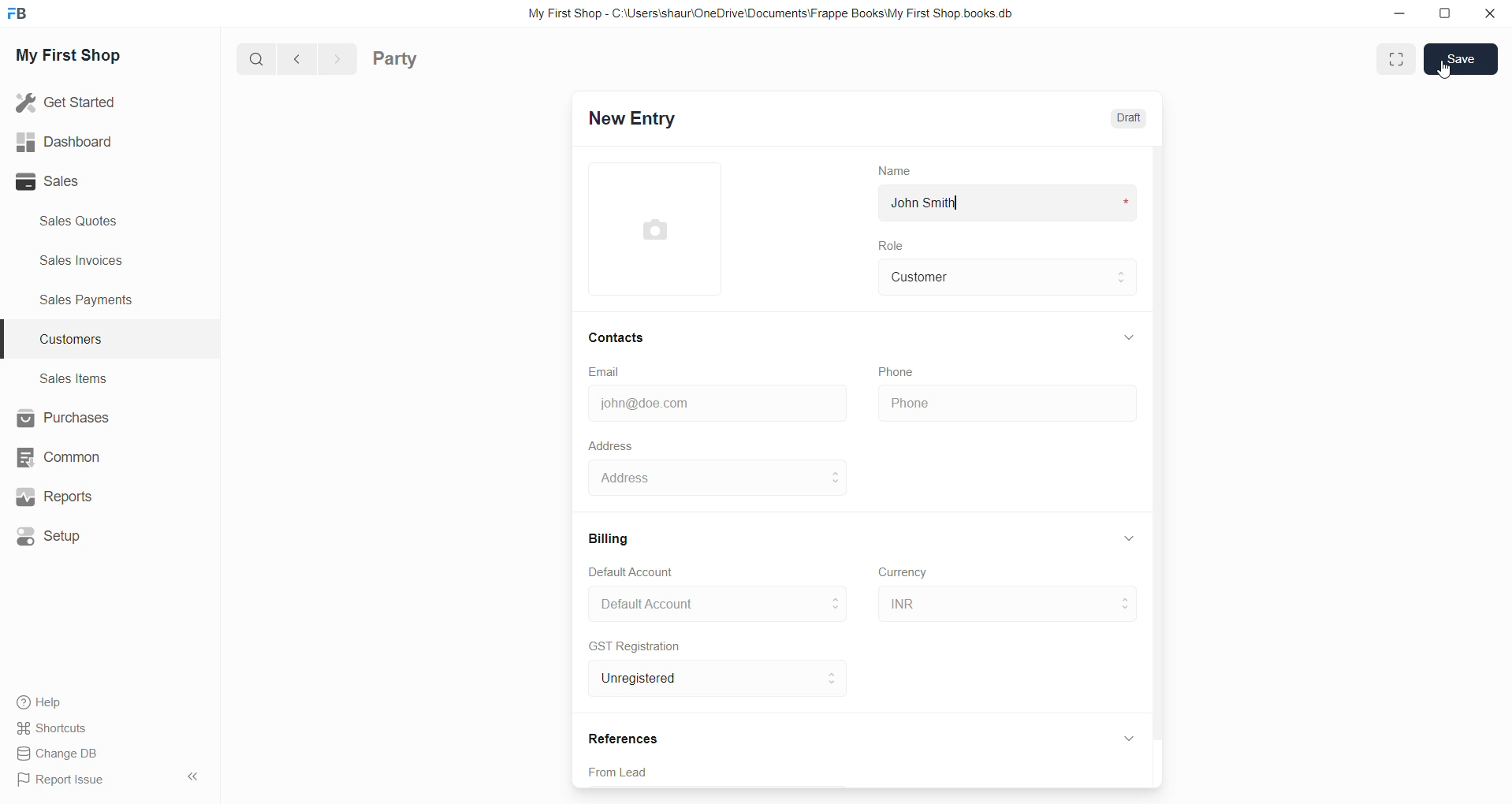 The height and width of the screenshot is (804, 1512). What do you see at coordinates (838, 485) in the screenshot?
I see `move to below address` at bounding box center [838, 485].